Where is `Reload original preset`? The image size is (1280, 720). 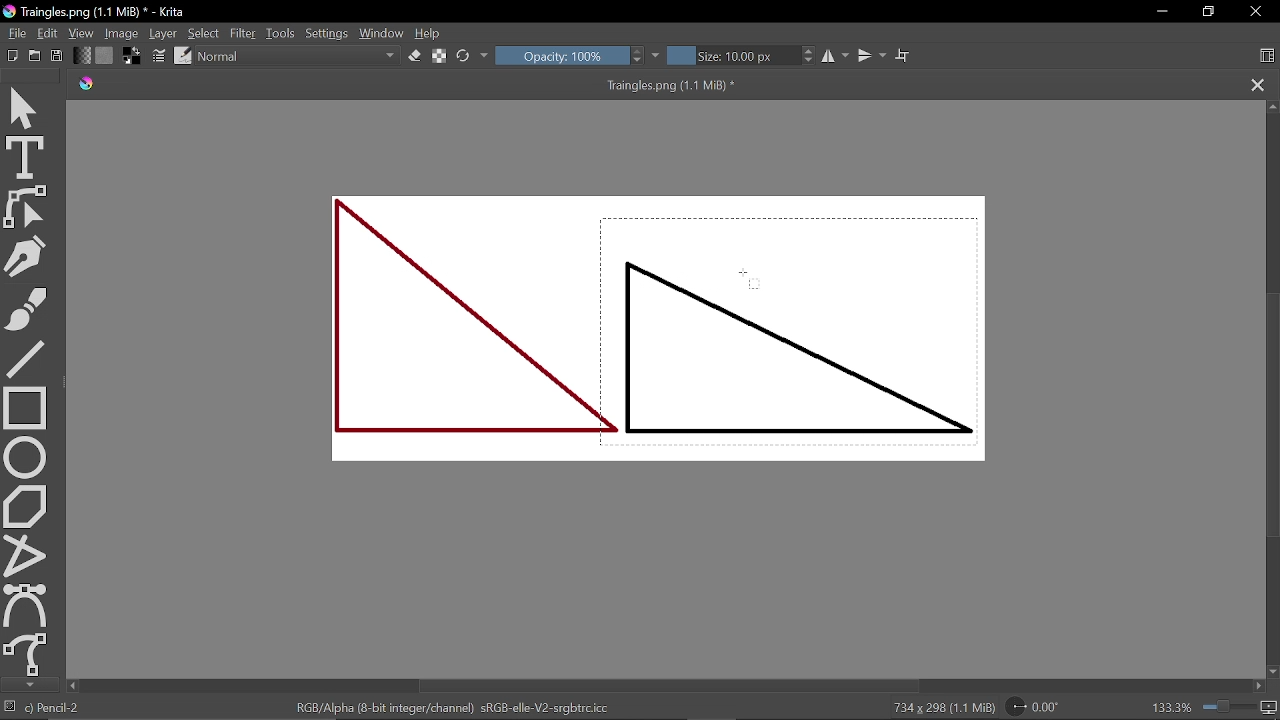 Reload original preset is located at coordinates (473, 55).